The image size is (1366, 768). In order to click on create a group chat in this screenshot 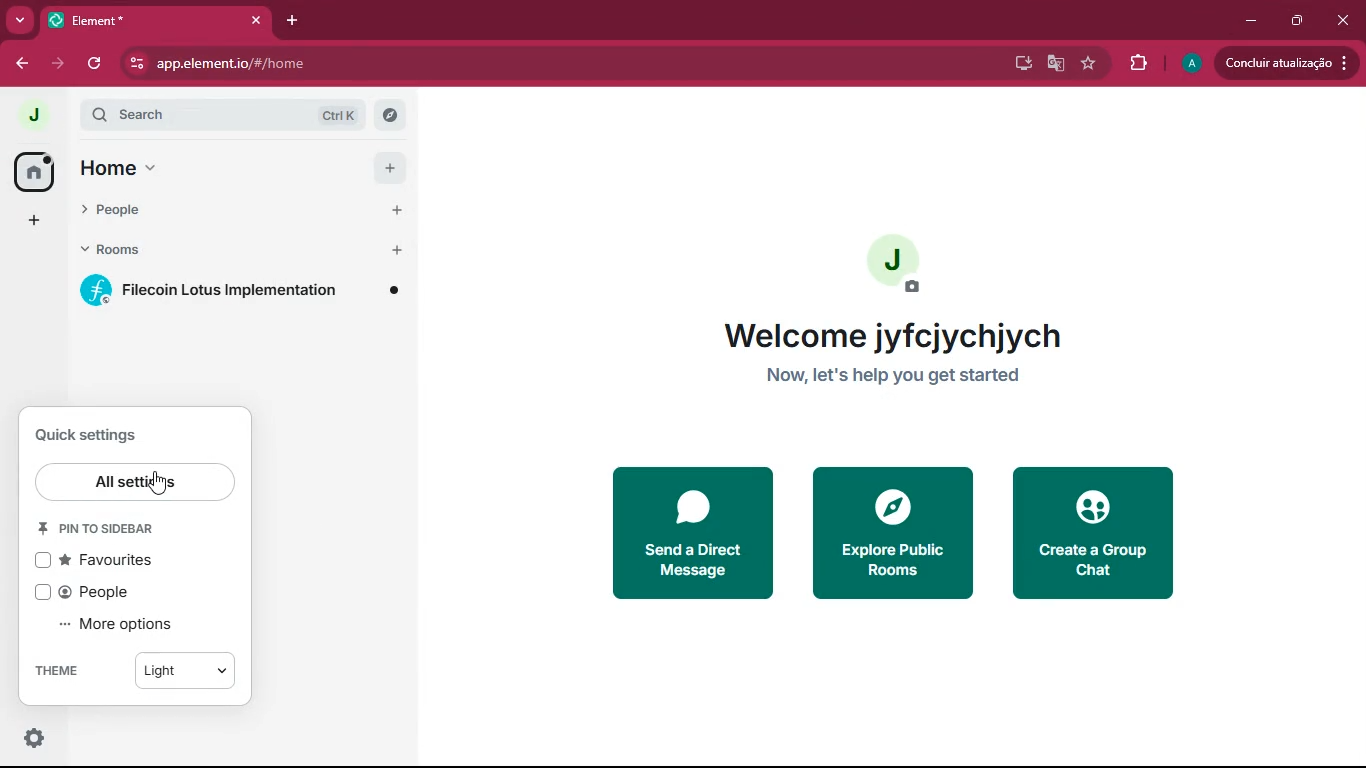, I will do `click(1095, 534)`.